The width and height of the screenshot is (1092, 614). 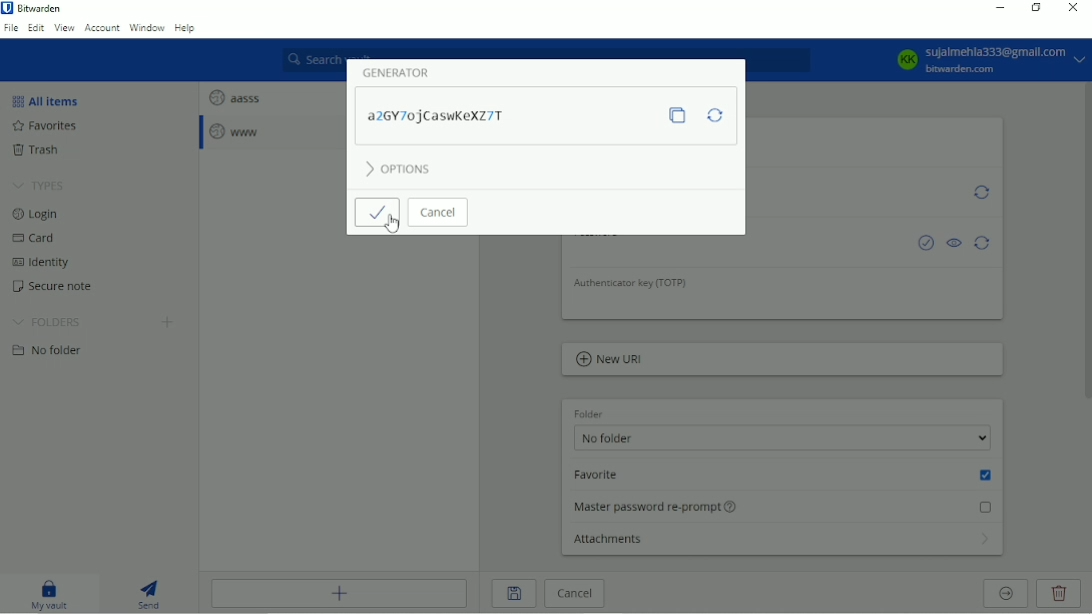 What do you see at coordinates (513, 594) in the screenshot?
I see `Save` at bounding box center [513, 594].